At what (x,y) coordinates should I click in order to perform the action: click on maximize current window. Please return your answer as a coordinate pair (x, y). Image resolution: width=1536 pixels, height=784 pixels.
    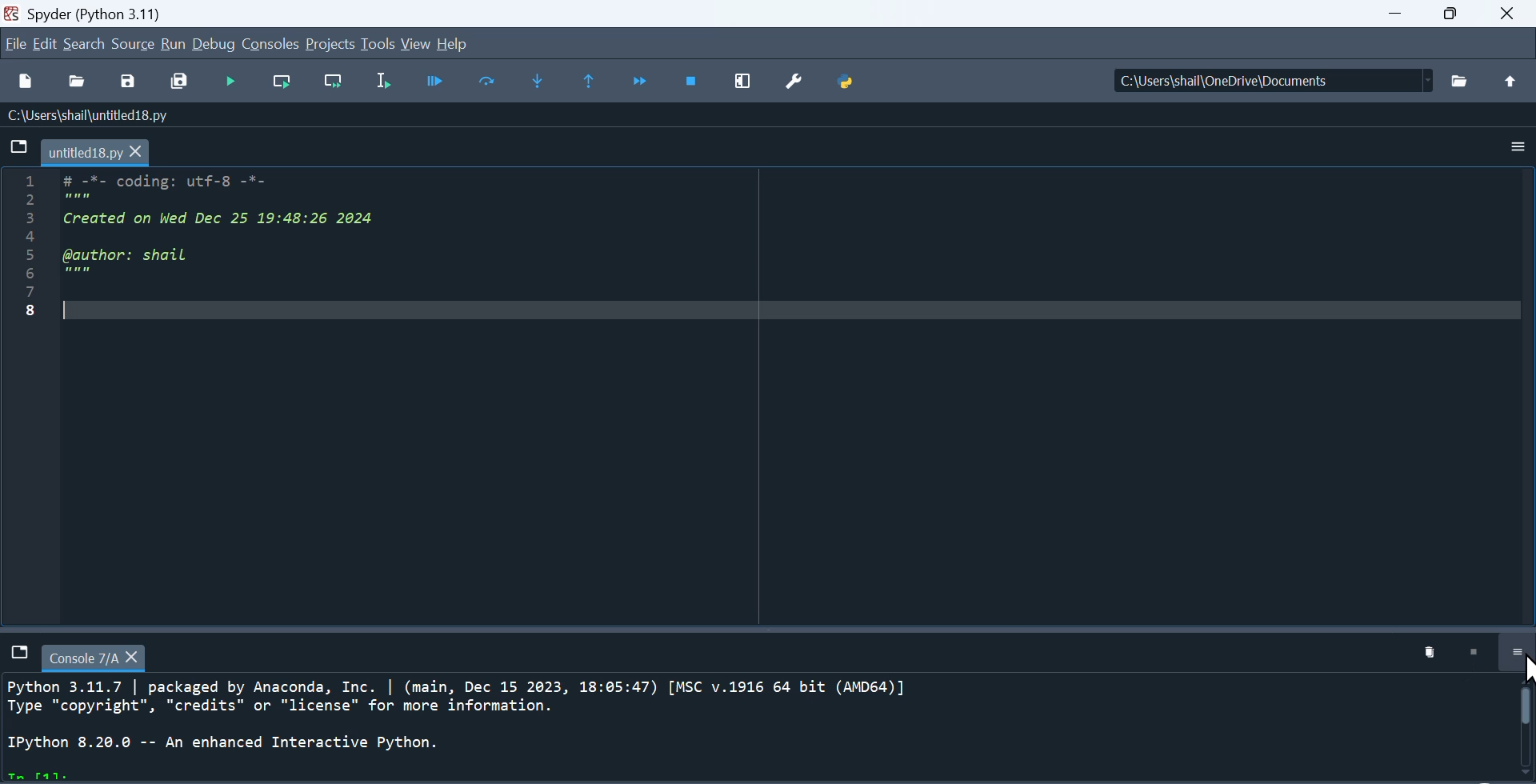
    Looking at the image, I should click on (745, 83).